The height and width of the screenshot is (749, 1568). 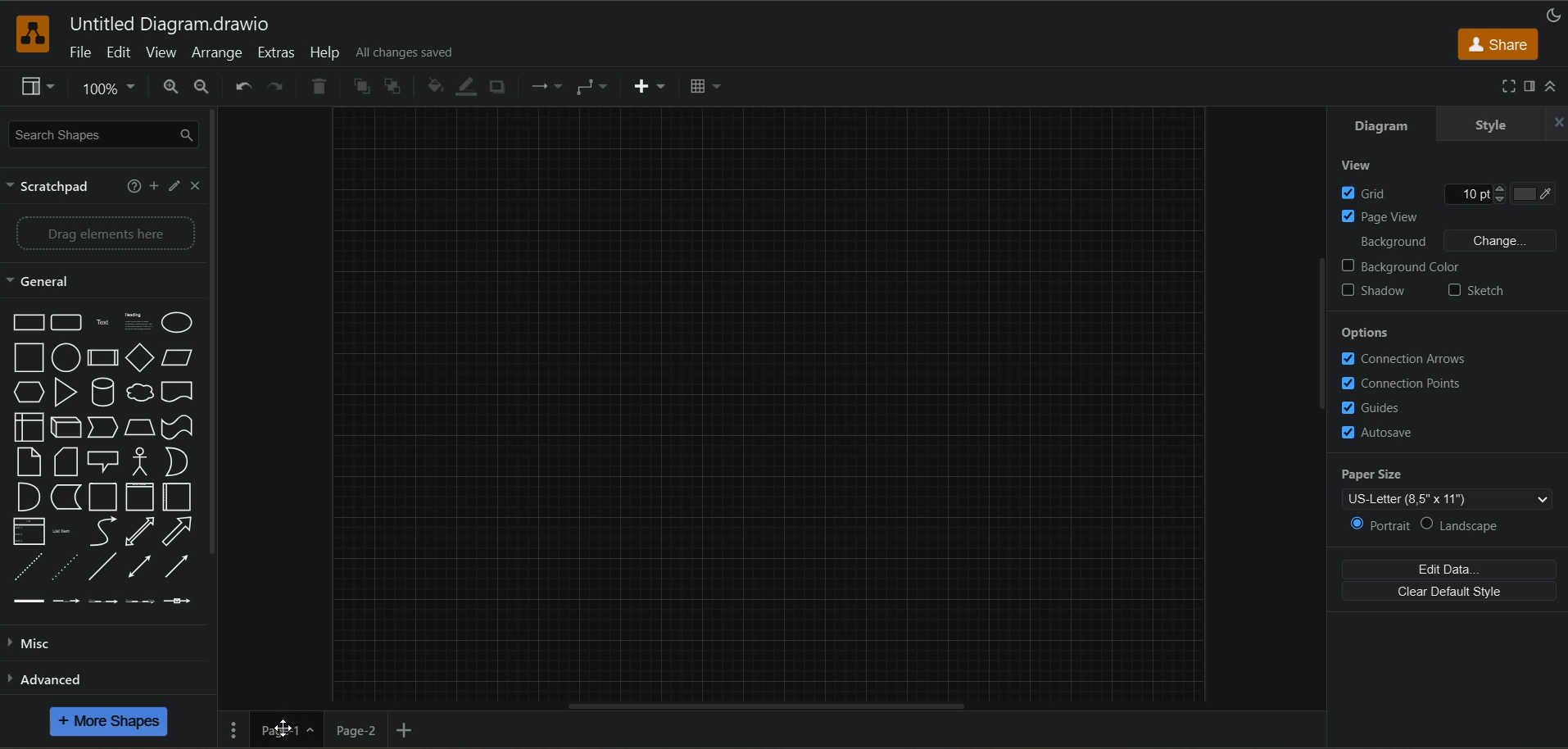 I want to click on guides, so click(x=1383, y=406).